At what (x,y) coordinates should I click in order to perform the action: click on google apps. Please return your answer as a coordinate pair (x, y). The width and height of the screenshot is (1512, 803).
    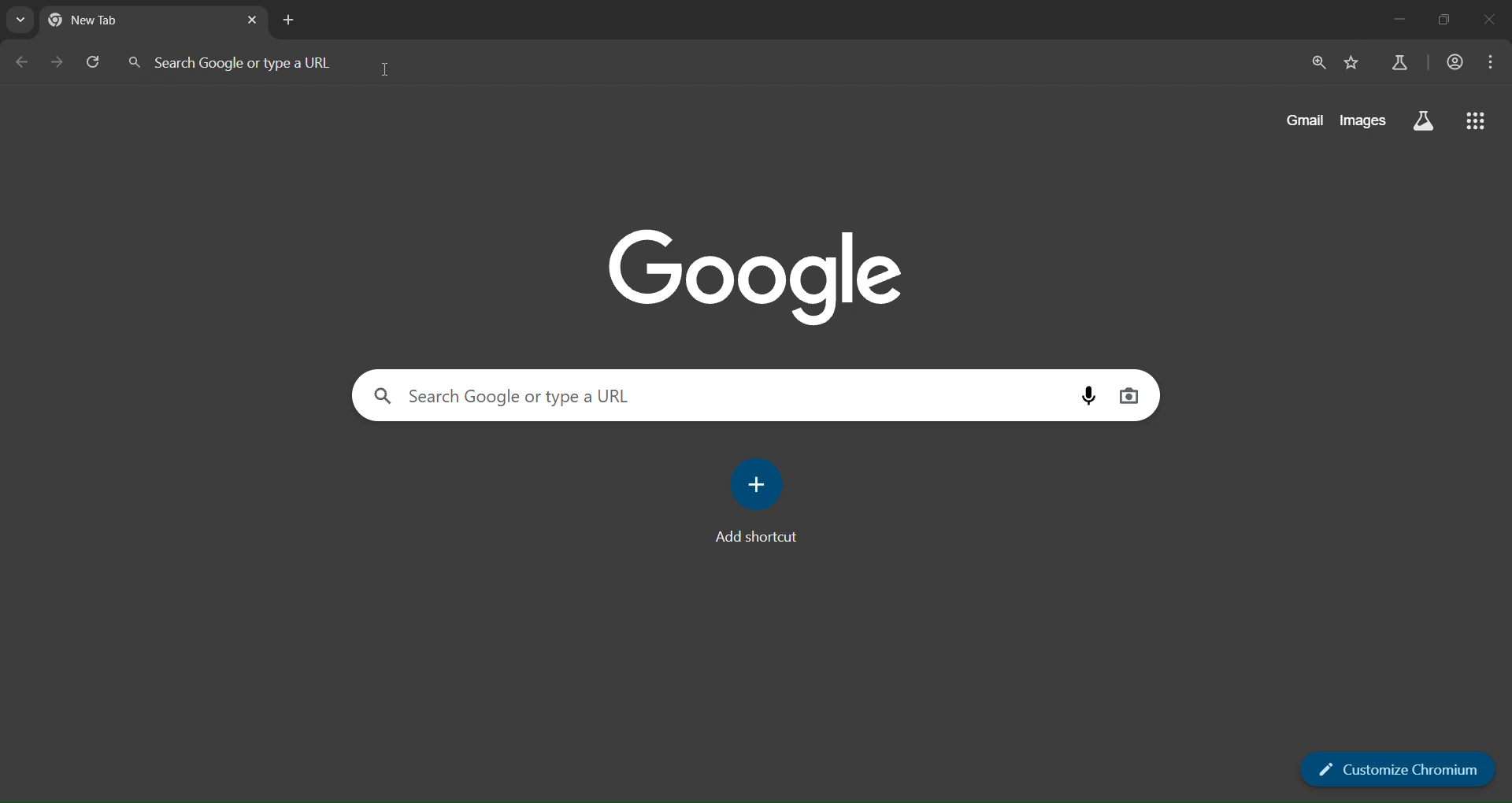
    Looking at the image, I should click on (1477, 122).